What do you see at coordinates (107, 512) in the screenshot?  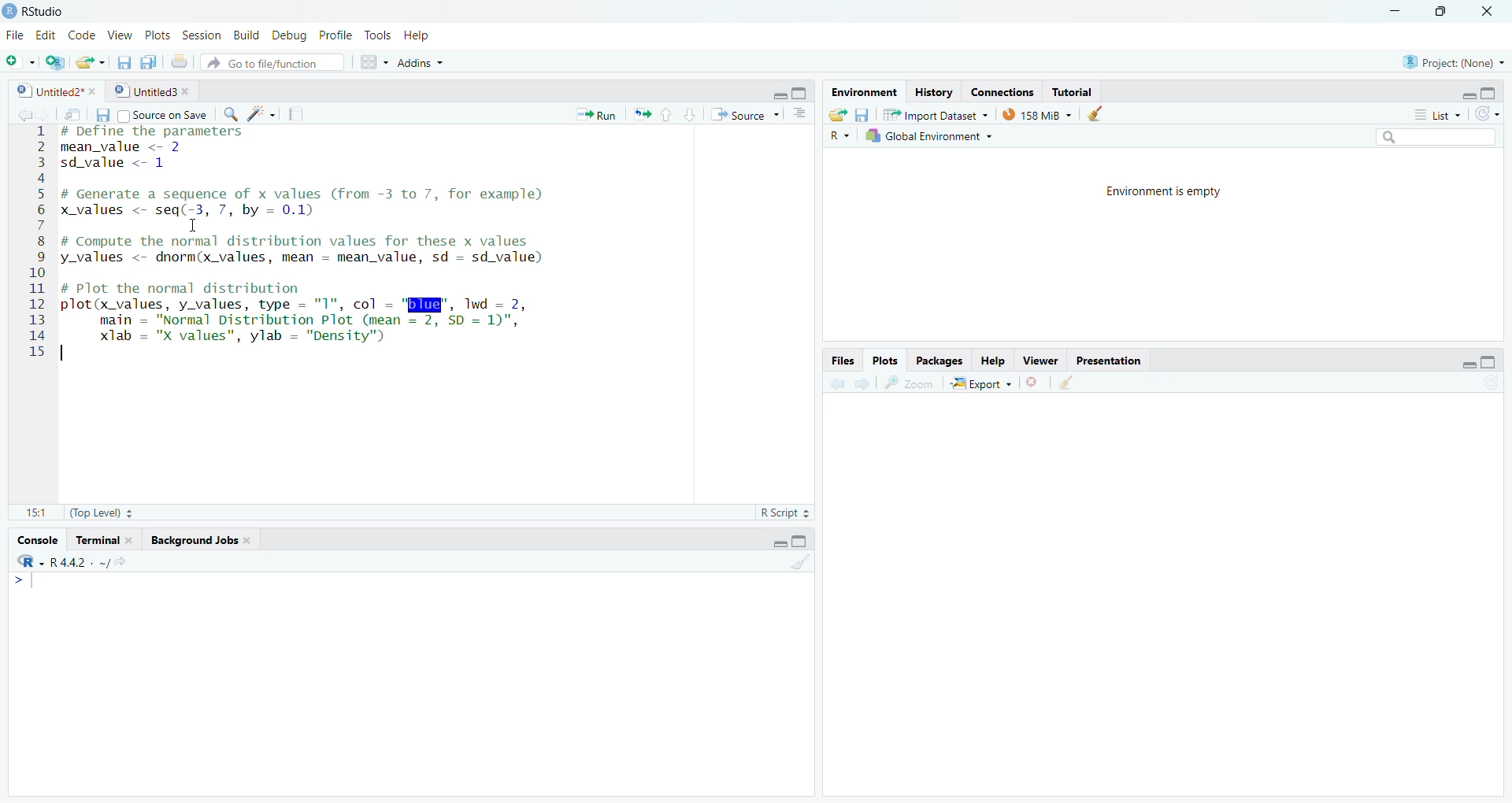 I see `(Top Level) ` at bounding box center [107, 512].